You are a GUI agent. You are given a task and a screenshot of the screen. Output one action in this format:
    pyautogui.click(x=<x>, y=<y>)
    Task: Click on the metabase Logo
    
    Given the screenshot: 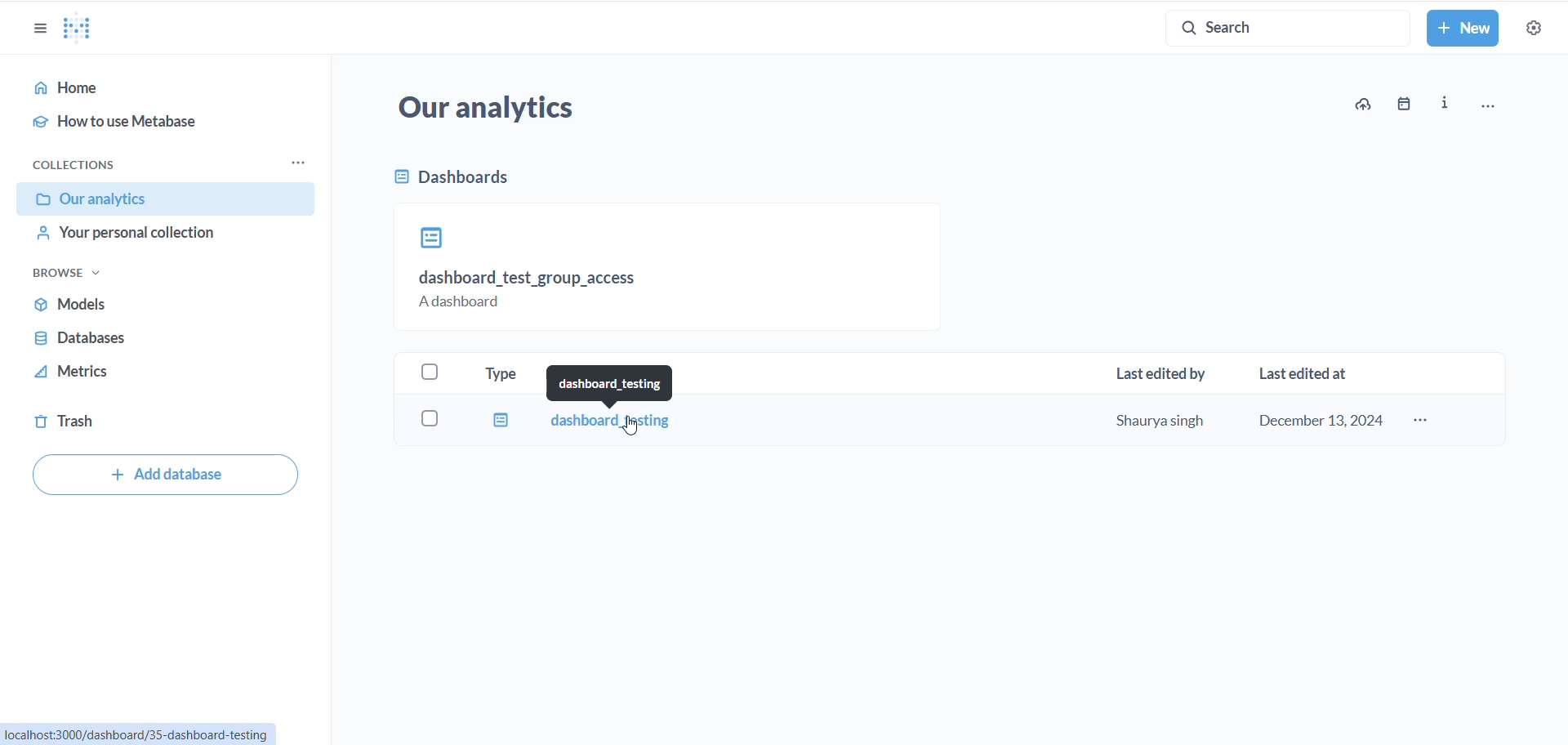 What is the action you would take?
    pyautogui.click(x=78, y=29)
    